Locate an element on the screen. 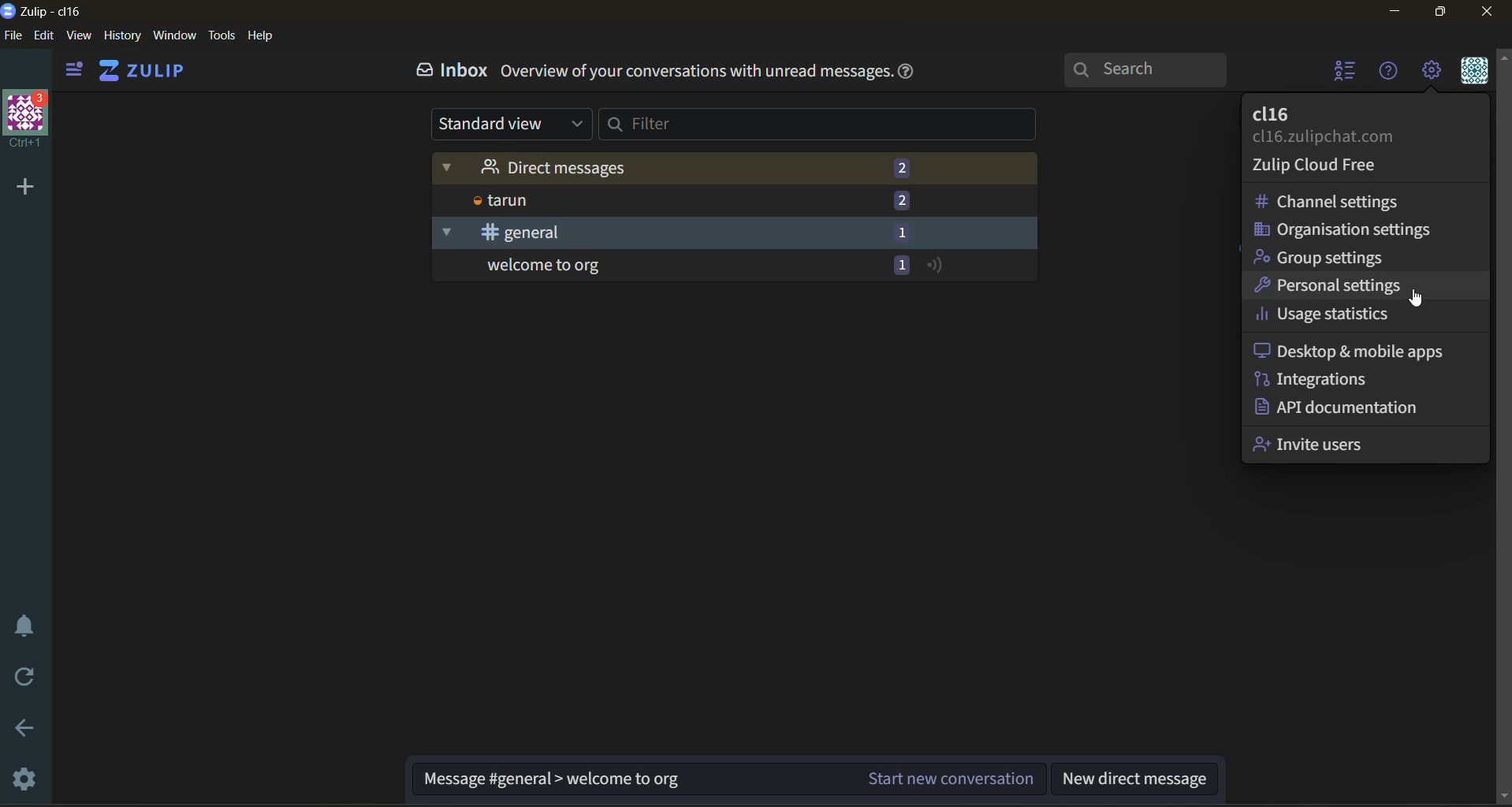  tarun is located at coordinates (653, 199).